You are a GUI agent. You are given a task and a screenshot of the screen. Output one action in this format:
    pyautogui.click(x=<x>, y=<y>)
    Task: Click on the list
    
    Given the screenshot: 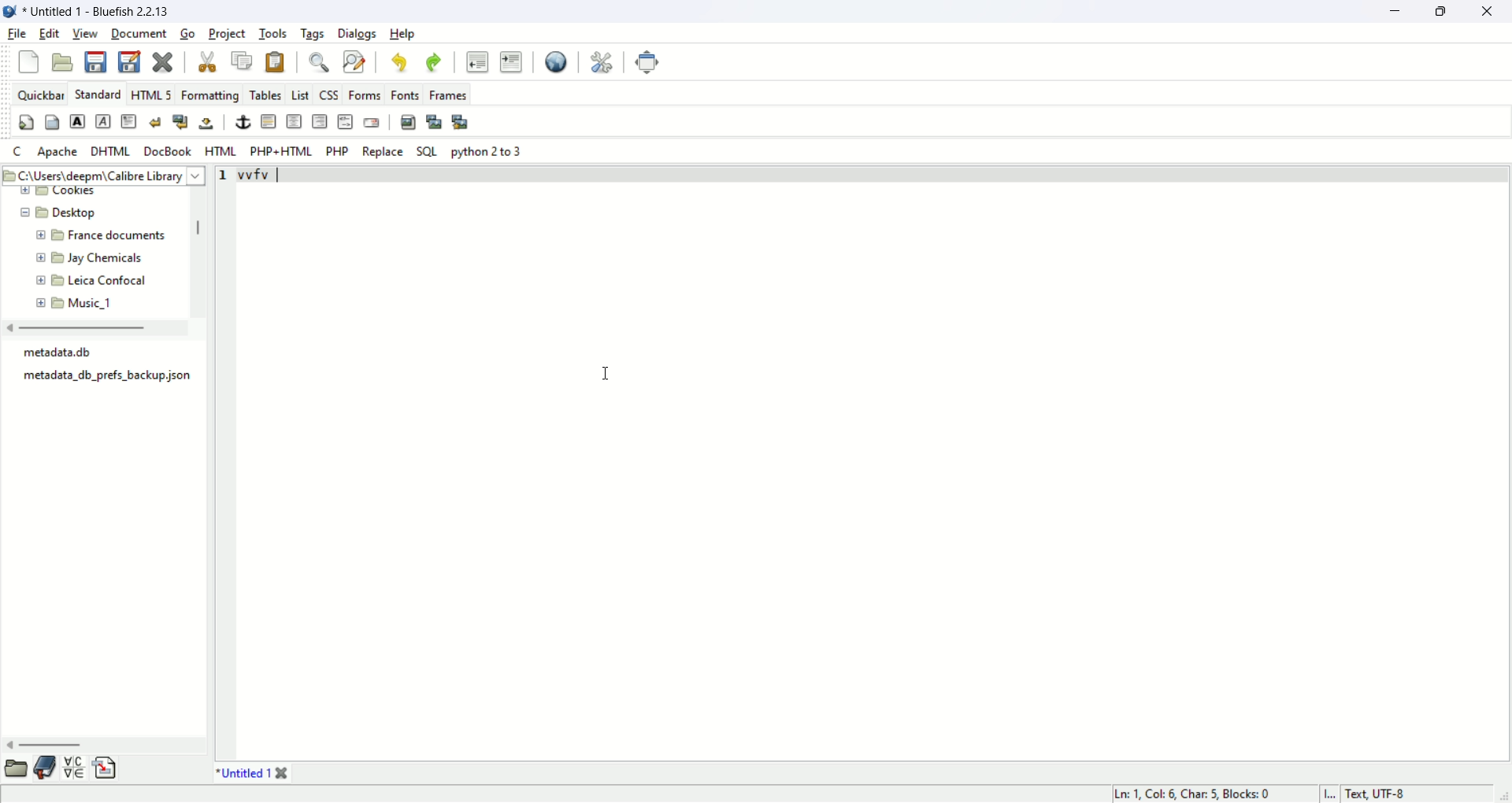 What is the action you would take?
    pyautogui.click(x=302, y=96)
    